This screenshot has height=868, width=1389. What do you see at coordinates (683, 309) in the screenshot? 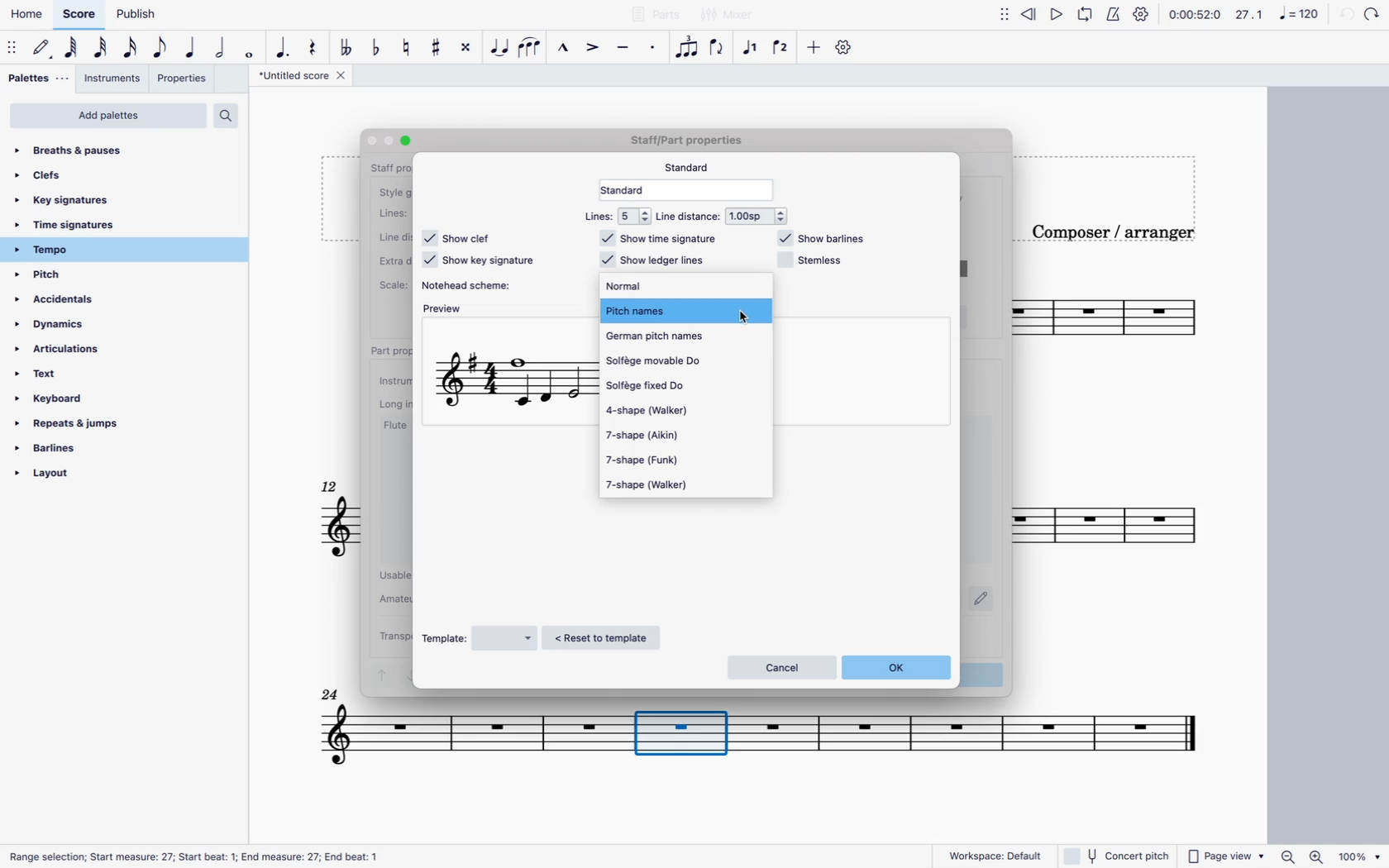
I see `pitch names` at bounding box center [683, 309].